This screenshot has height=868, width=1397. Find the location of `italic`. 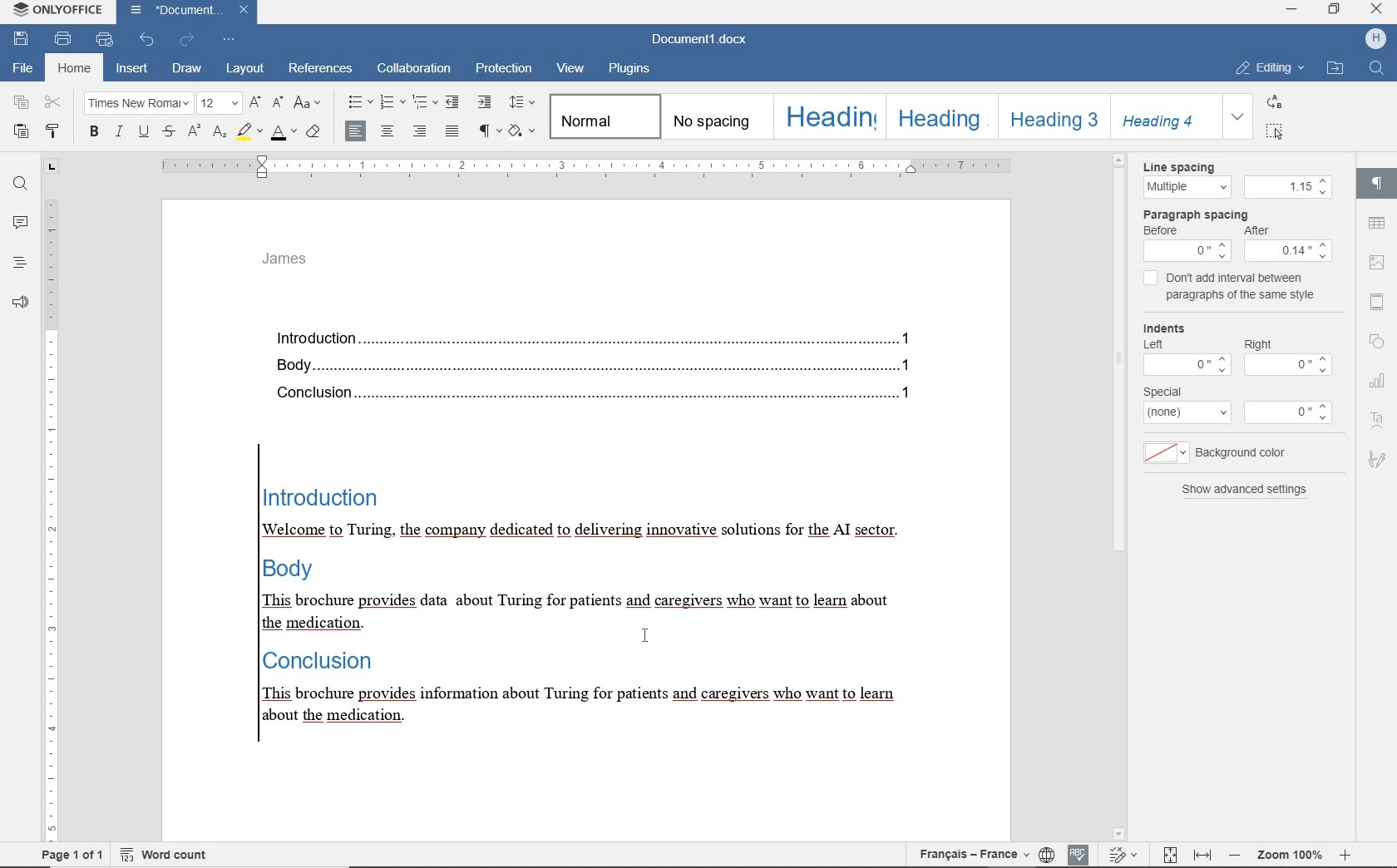

italic is located at coordinates (119, 133).